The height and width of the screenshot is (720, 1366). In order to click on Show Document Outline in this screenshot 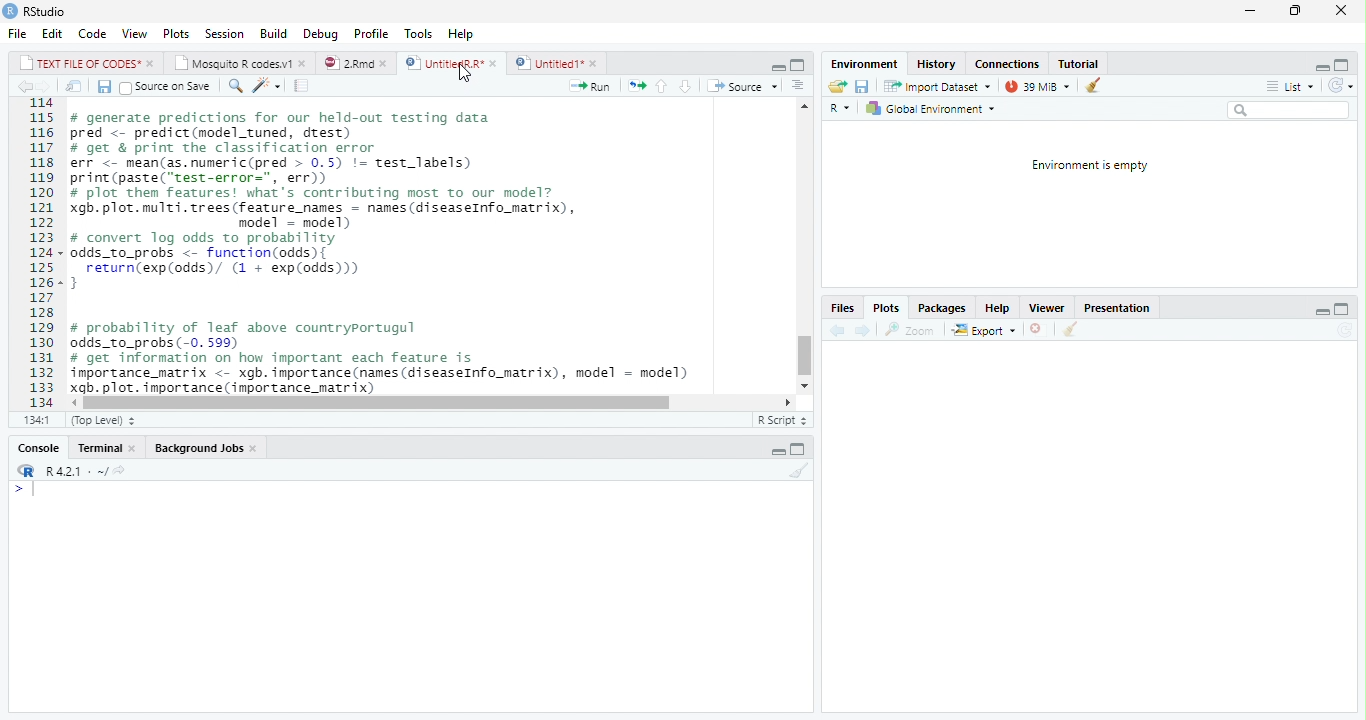, I will do `click(799, 84)`.